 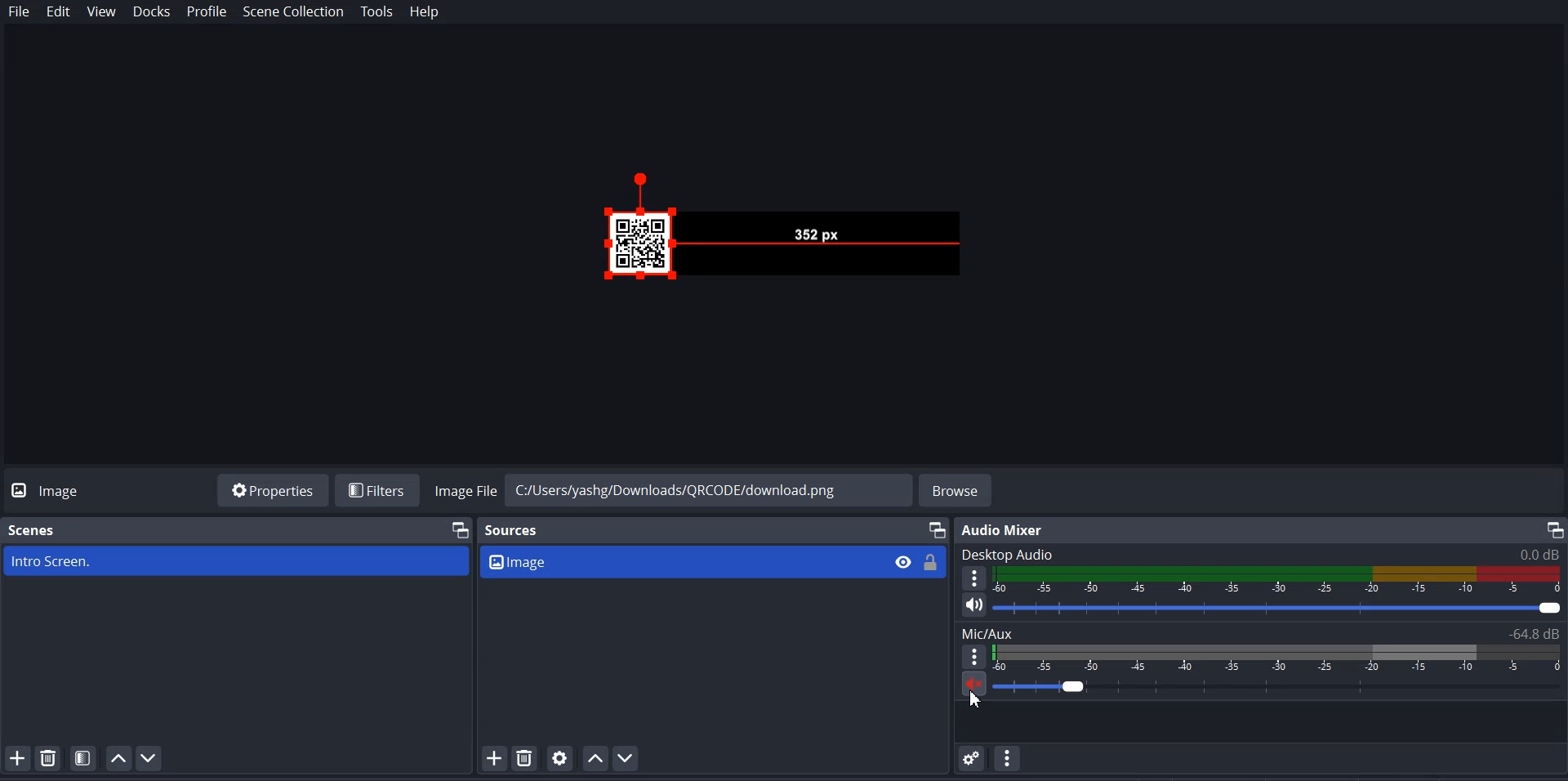 I want to click on Open scene Filter, so click(x=83, y=756).